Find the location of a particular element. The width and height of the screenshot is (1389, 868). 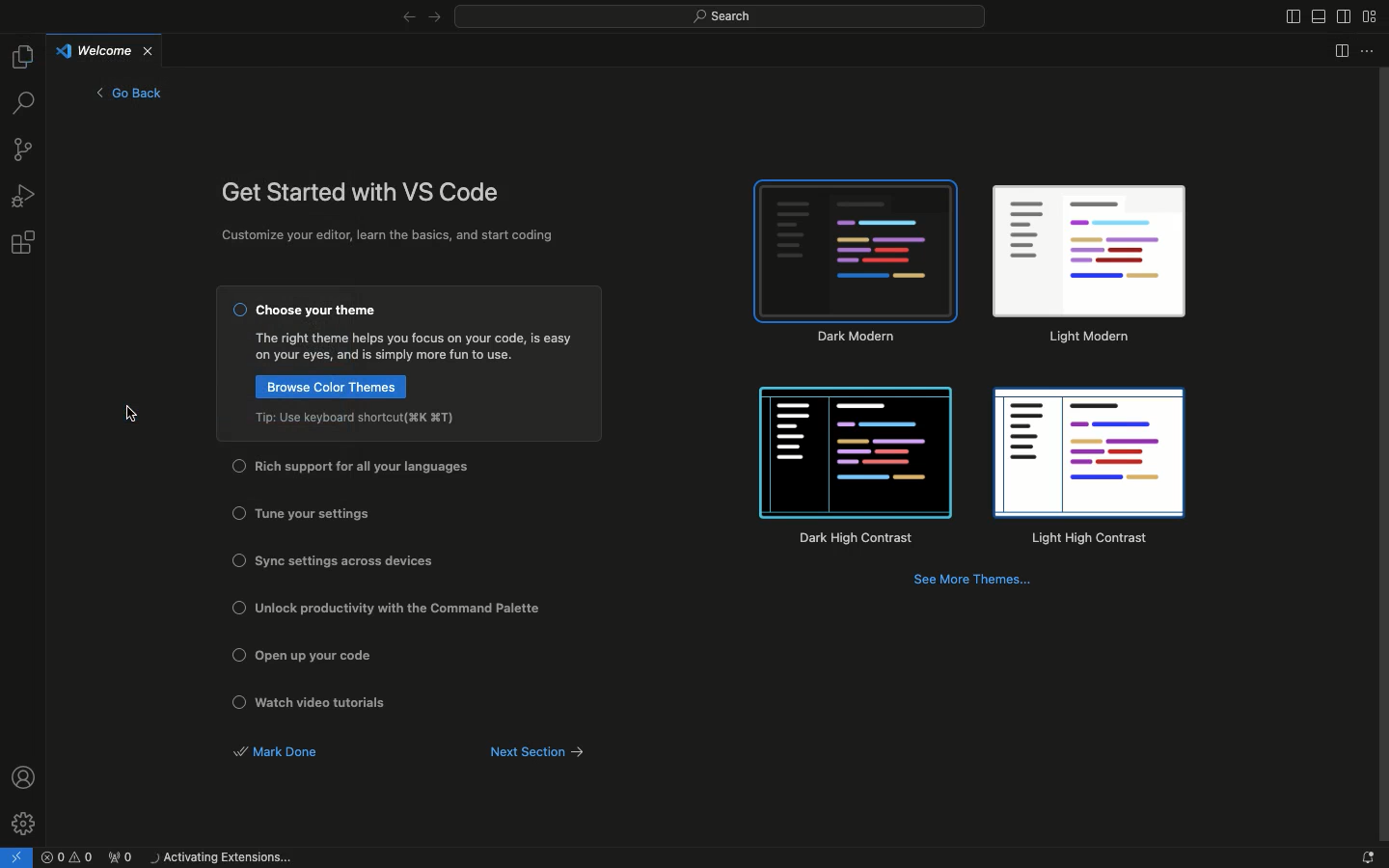

Tune your settings is located at coordinates (313, 514).